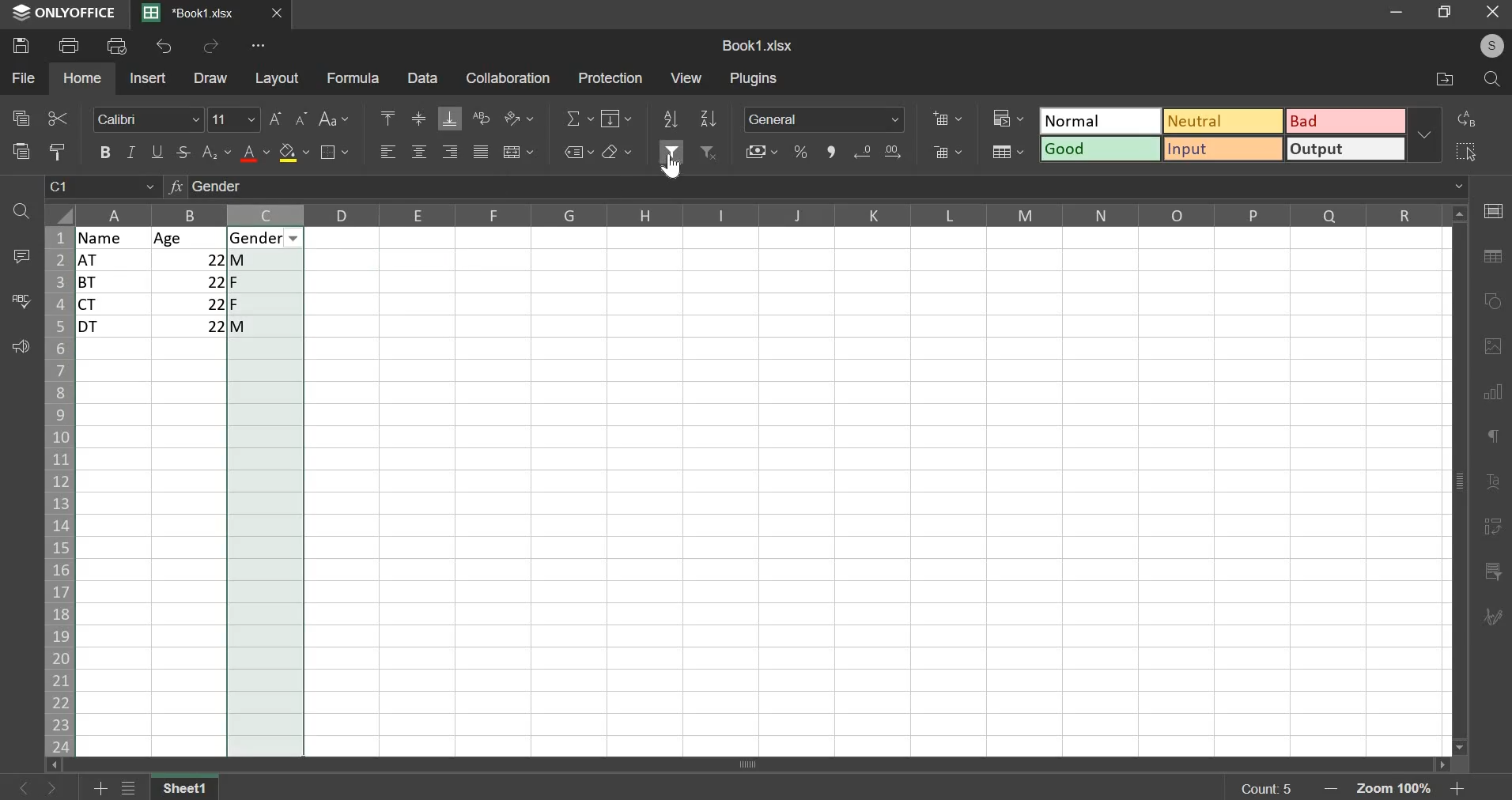  I want to click on paste, so click(20, 152).